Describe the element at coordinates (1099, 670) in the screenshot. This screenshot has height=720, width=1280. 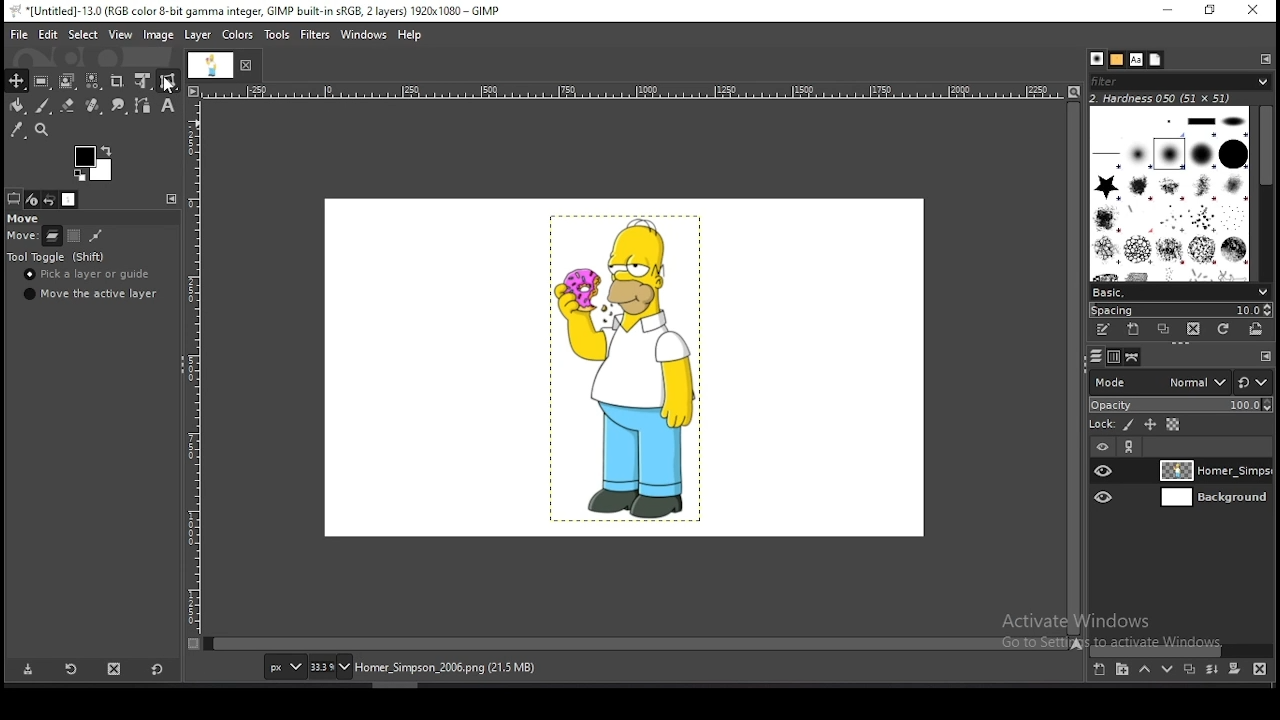
I see `create a new layer` at that location.